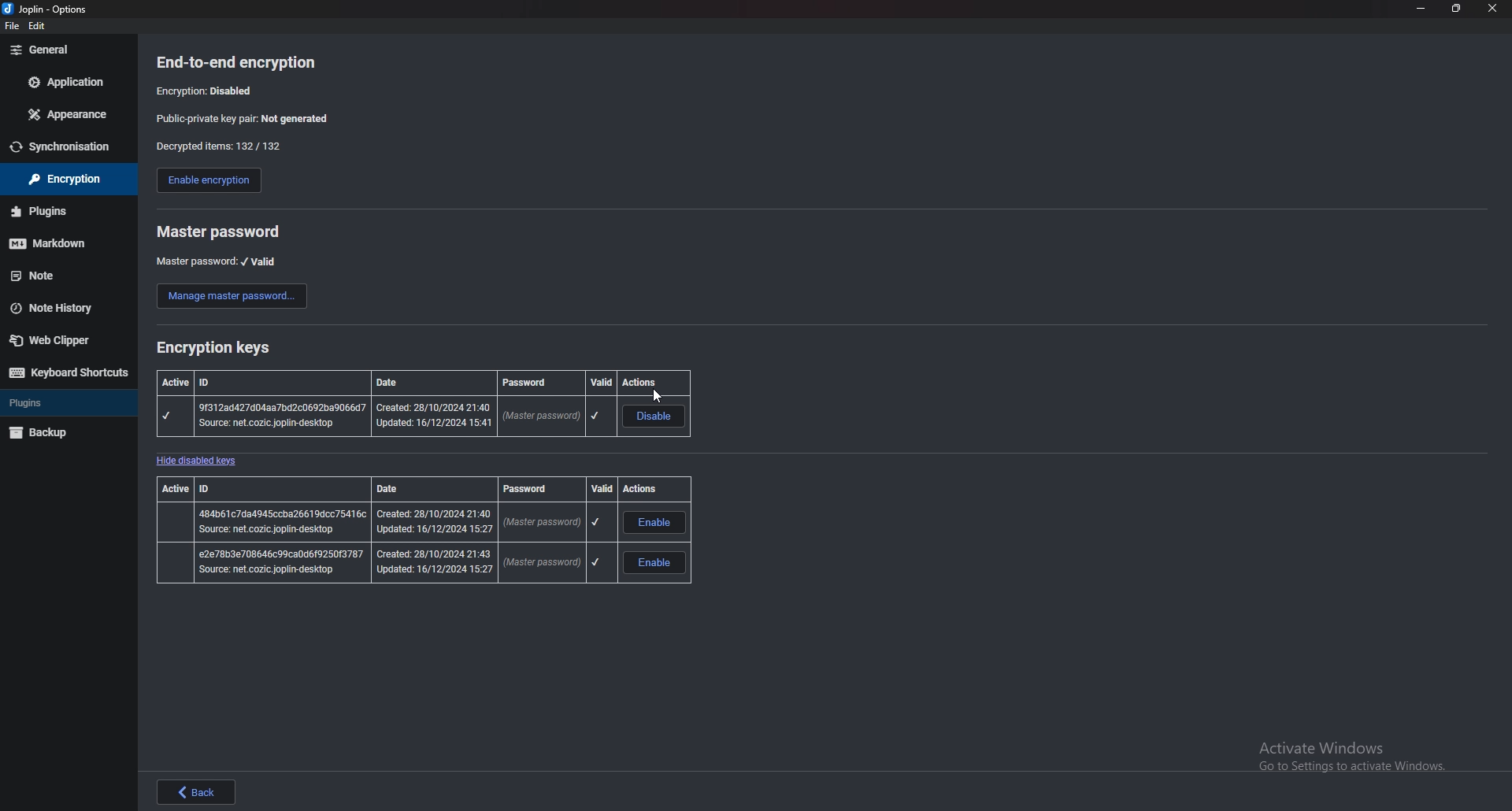 This screenshot has height=811, width=1512. Describe the element at coordinates (217, 346) in the screenshot. I see `encryption keys` at that location.